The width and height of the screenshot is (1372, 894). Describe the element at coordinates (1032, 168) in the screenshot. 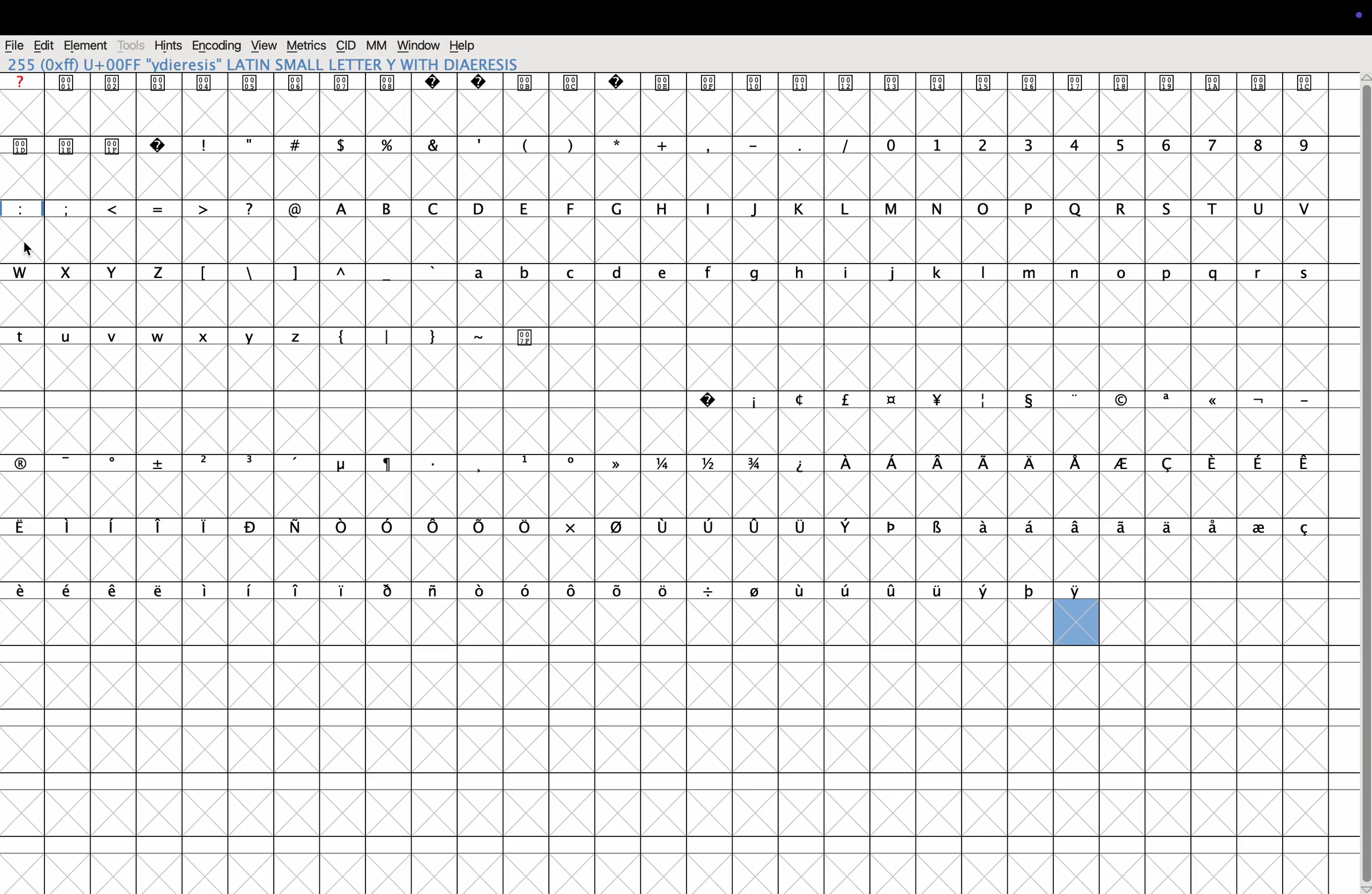

I see `3` at that location.